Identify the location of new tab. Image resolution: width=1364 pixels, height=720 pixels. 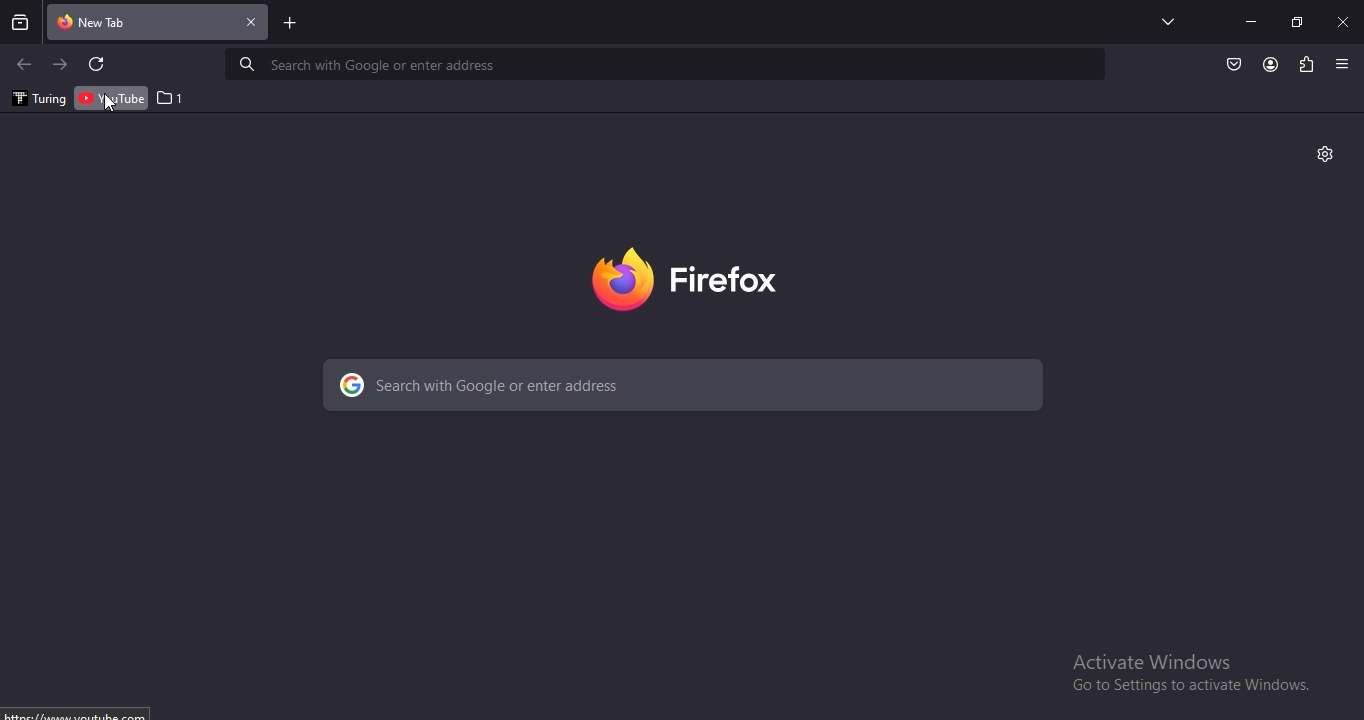
(291, 25).